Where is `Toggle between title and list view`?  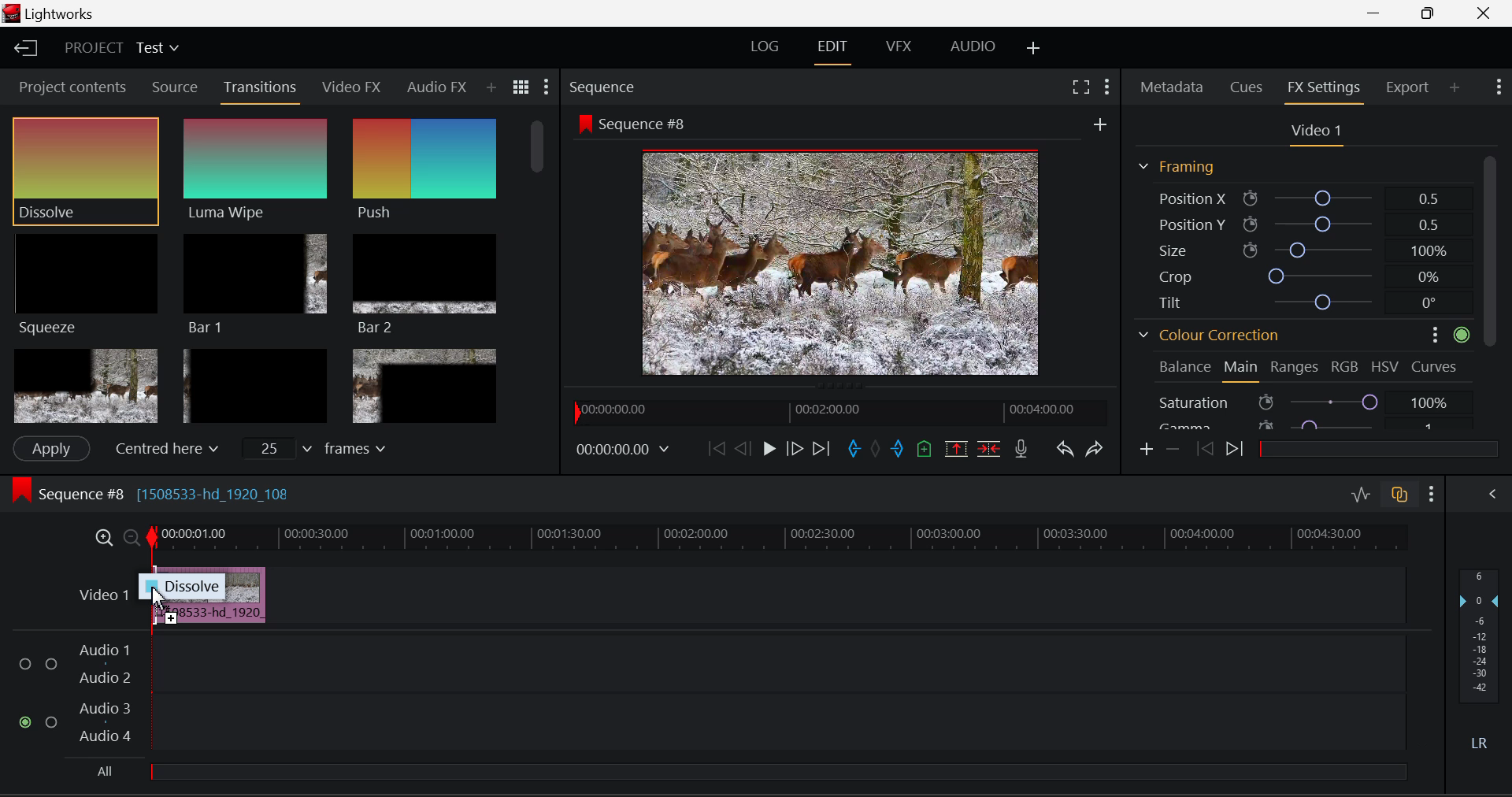 Toggle between title and list view is located at coordinates (521, 85).